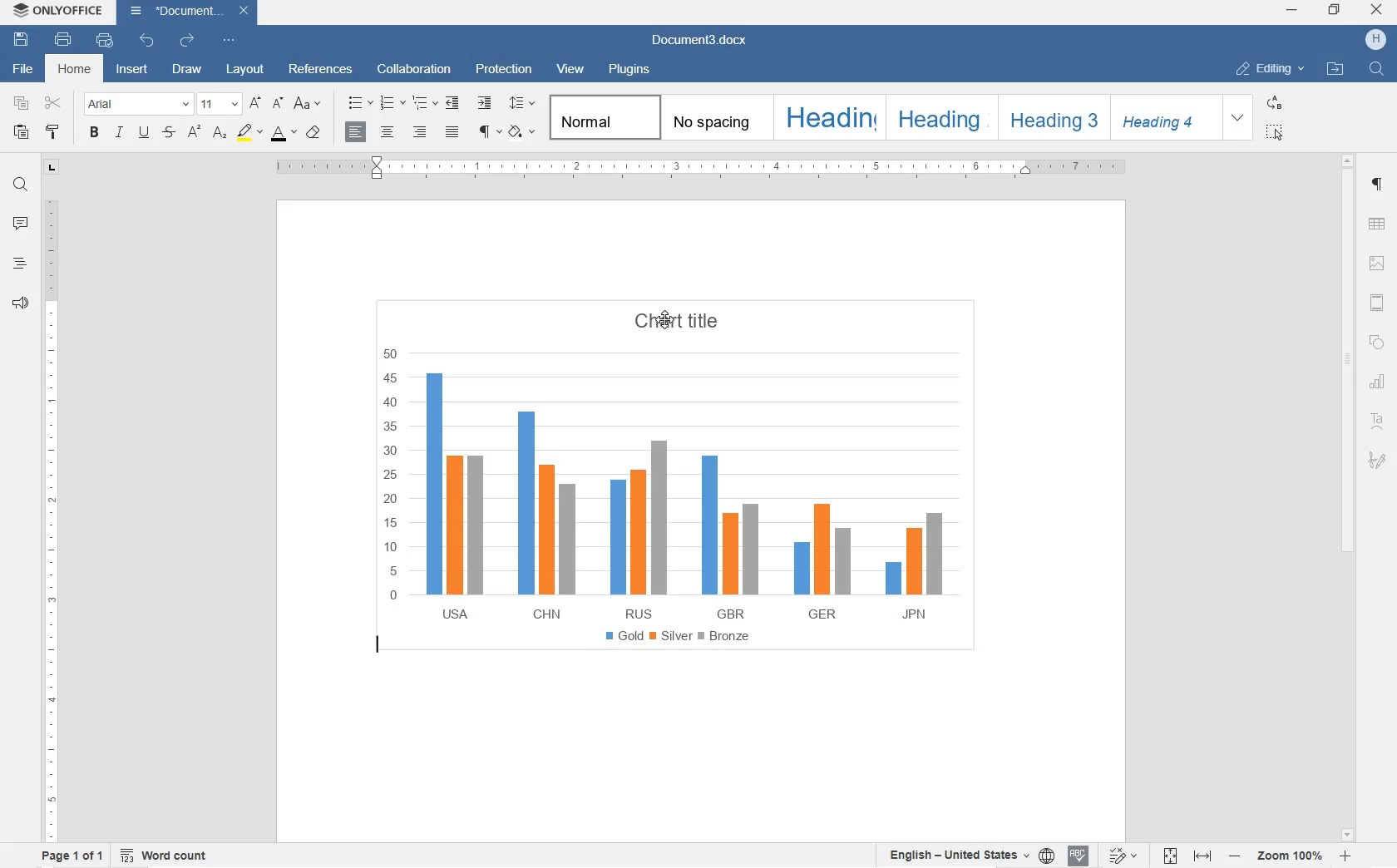 The image size is (1397, 868). Describe the element at coordinates (51, 517) in the screenshot. I see `RULER` at that location.